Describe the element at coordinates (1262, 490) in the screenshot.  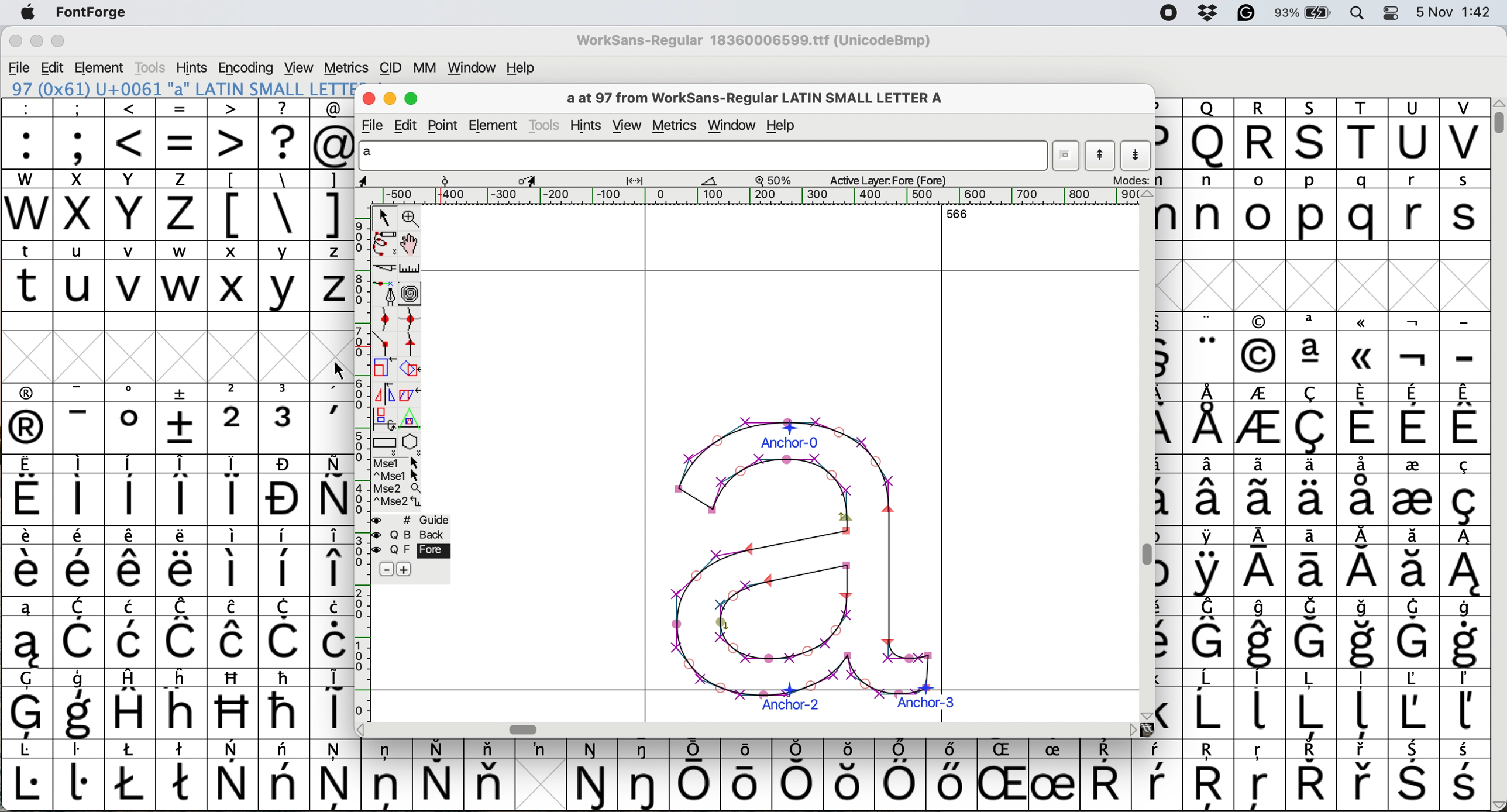
I see `symbol` at that location.